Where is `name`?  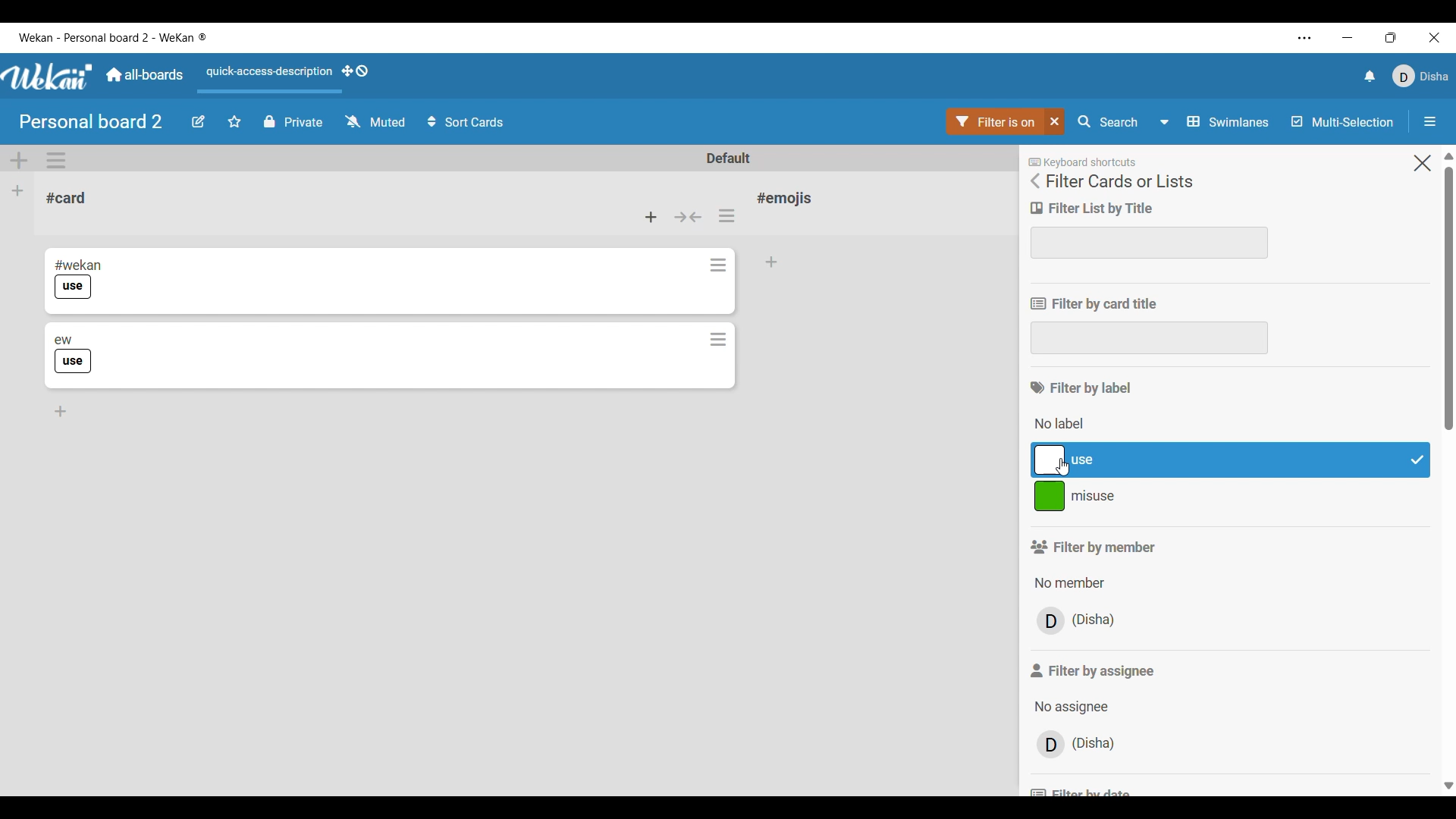
name is located at coordinates (1095, 620).